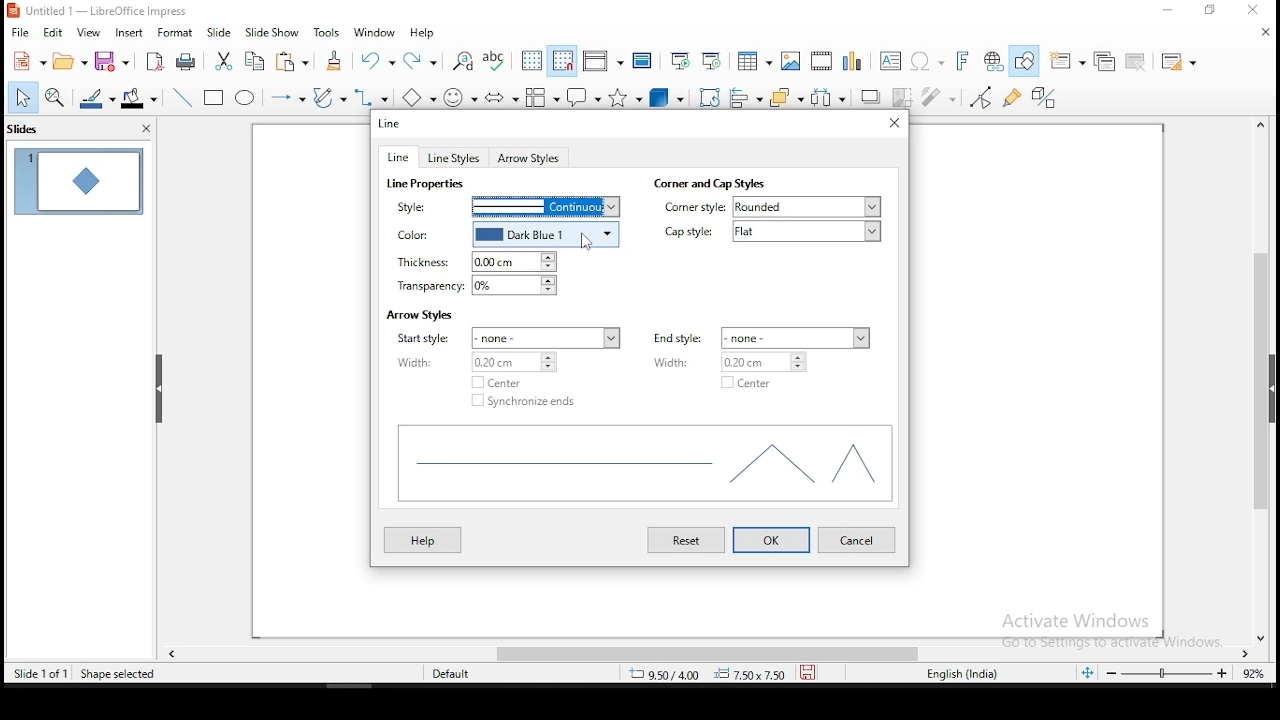 The height and width of the screenshot is (720, 1280). Describe the element at coordinates (458, 158) in the screenshot. I see `line styles` at that location.